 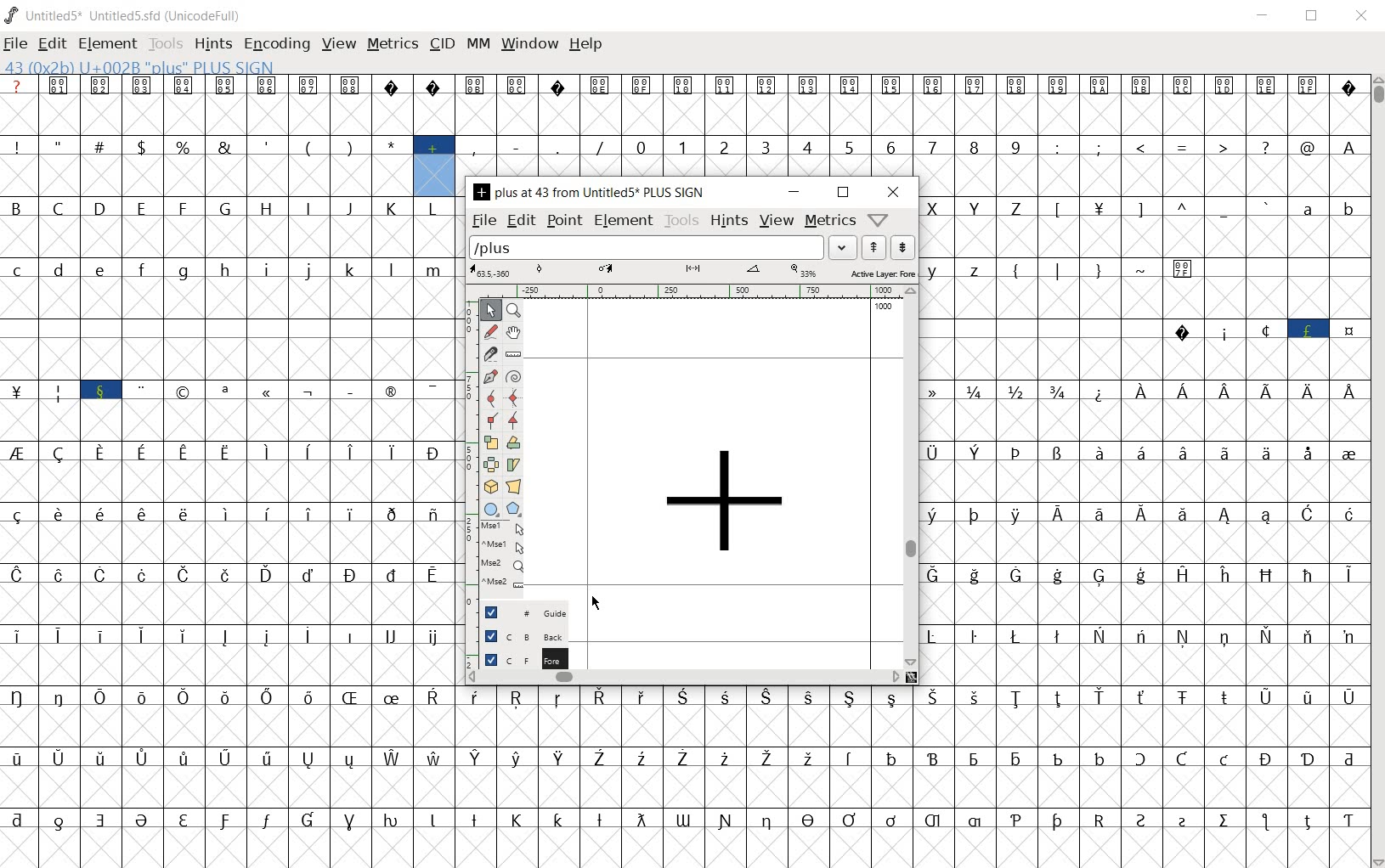 What do you see at coordinates (483, 221) in the screenshot?
I see `file` at bounding box center [483, 221].